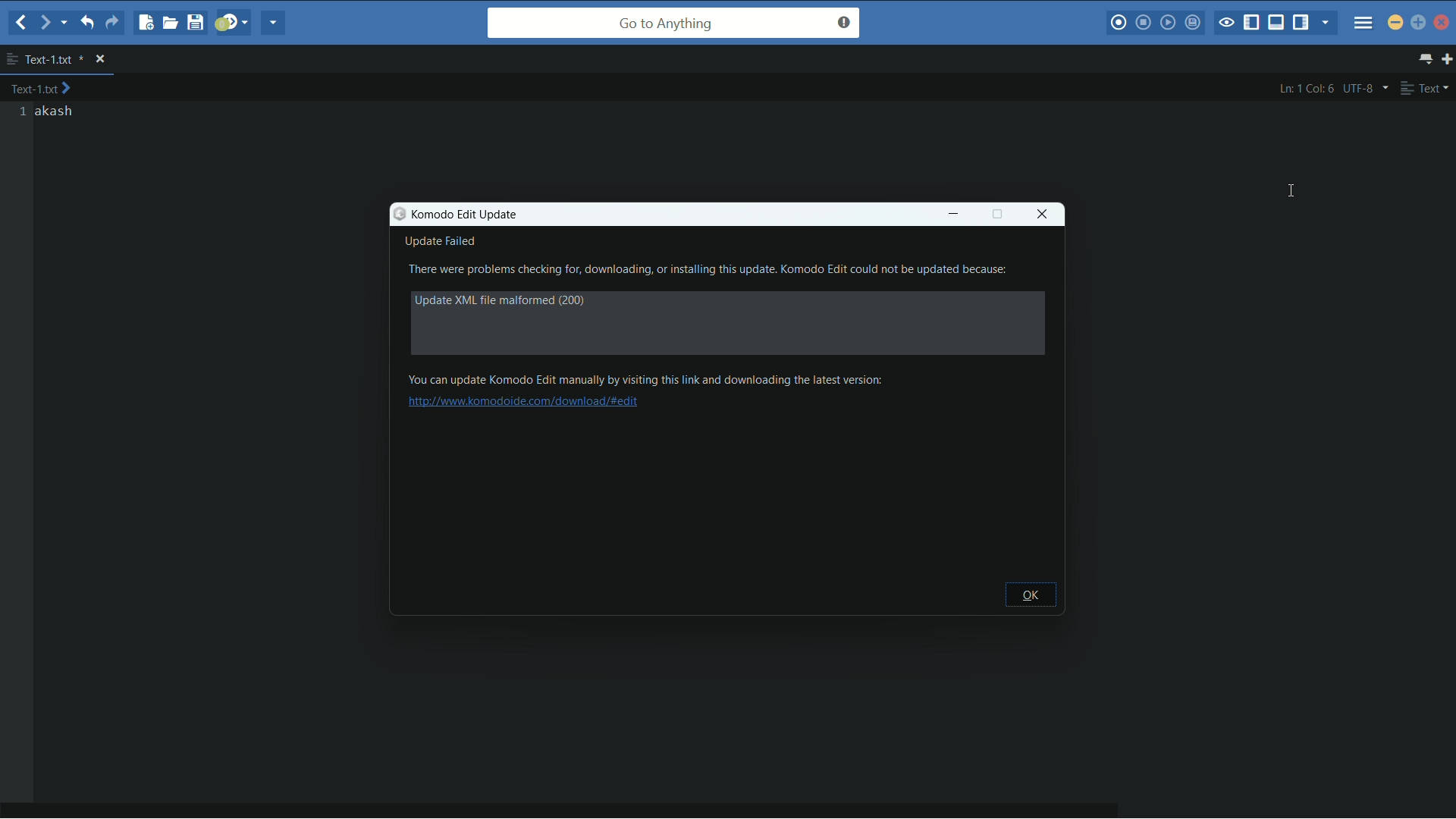  What do you see at coordinates (1194, 21) in the screenshot?
I see `save macro to toolbox` at bounding box center [1194, 21].